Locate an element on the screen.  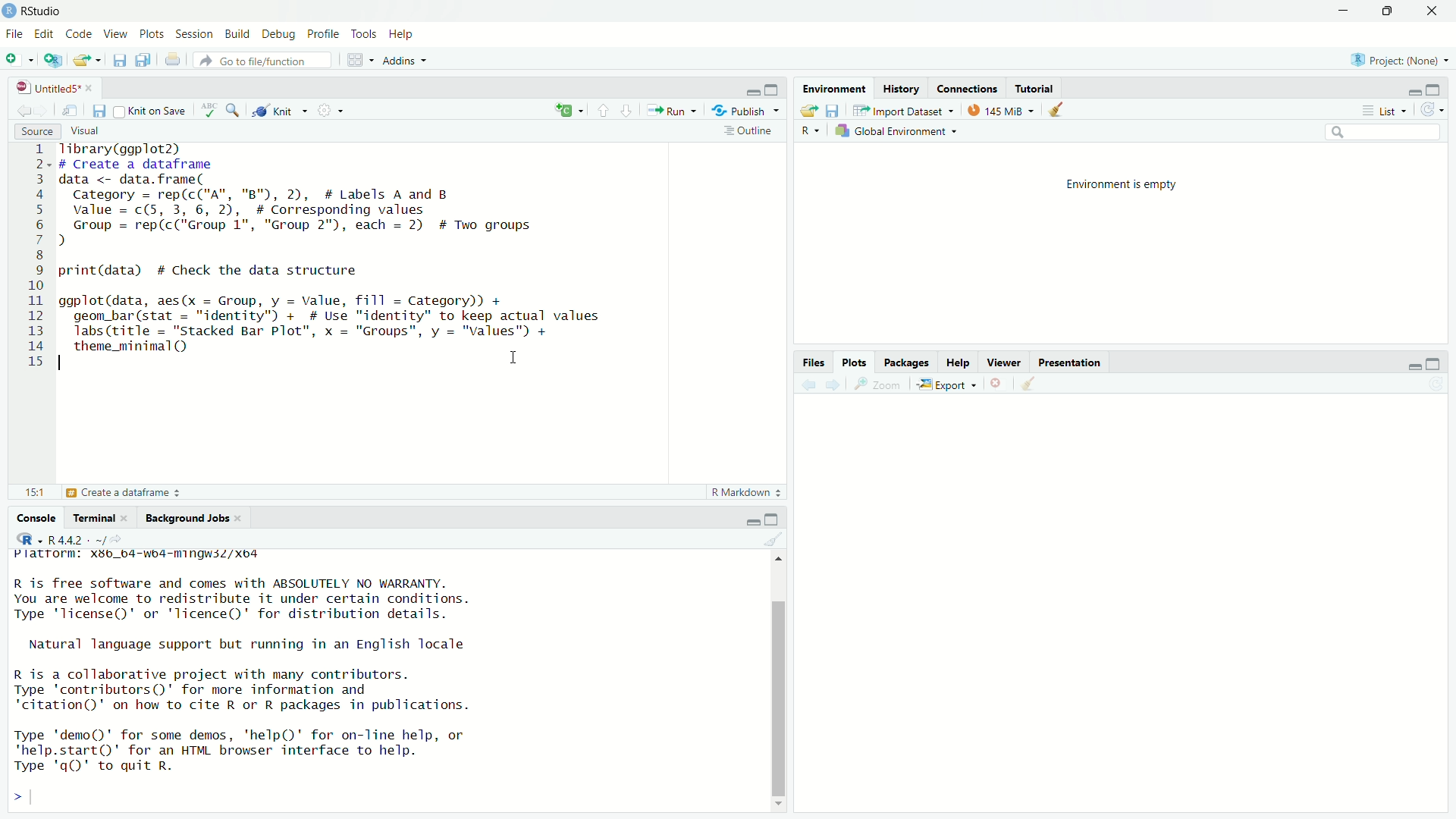
Refresh the list of objects in the environment is located at coordinates (1434, 108).